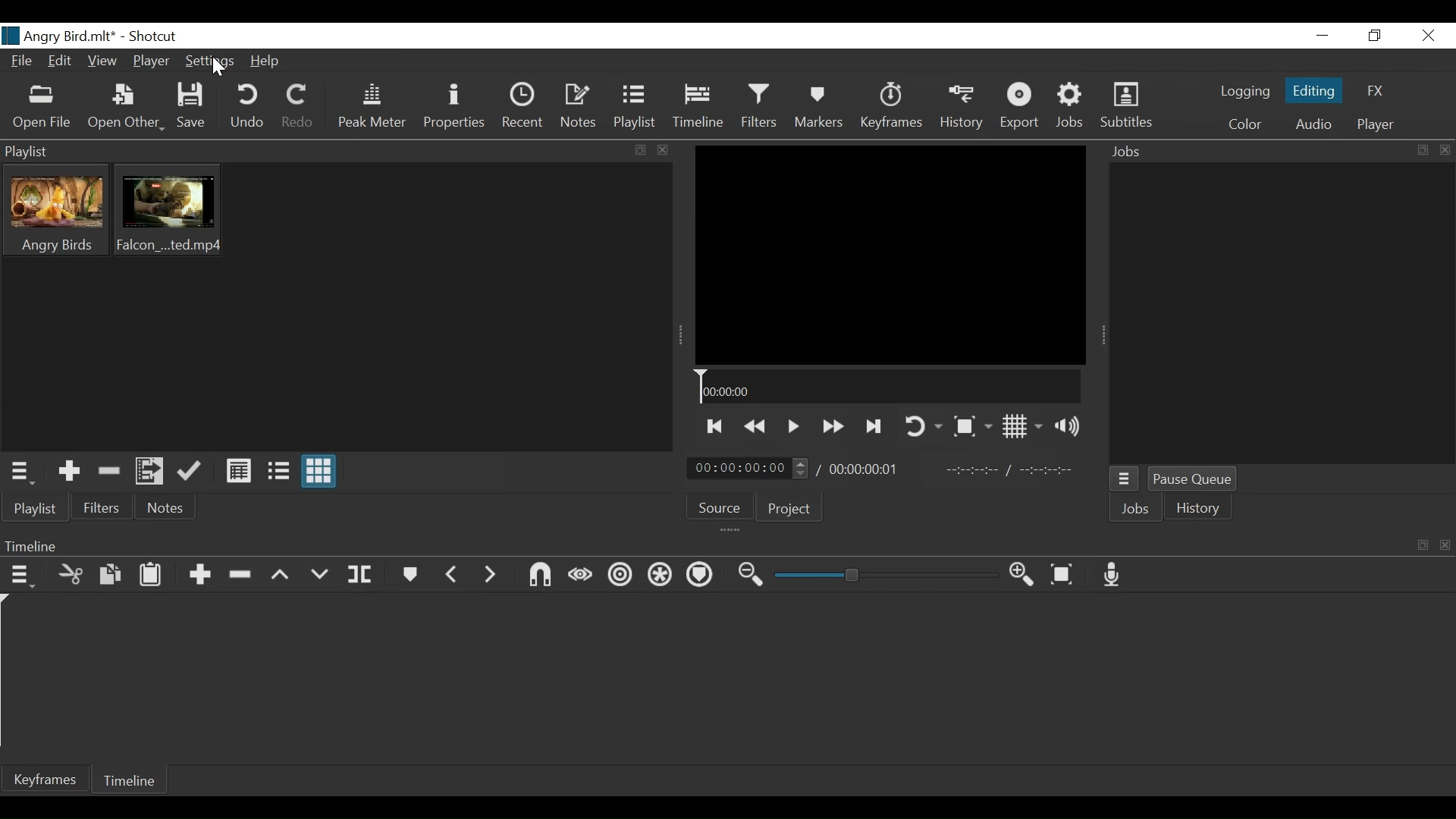 Image resolution: width=1456 pixels, height=819 pixels. I want to click on Shotcut, so click(156, 38).